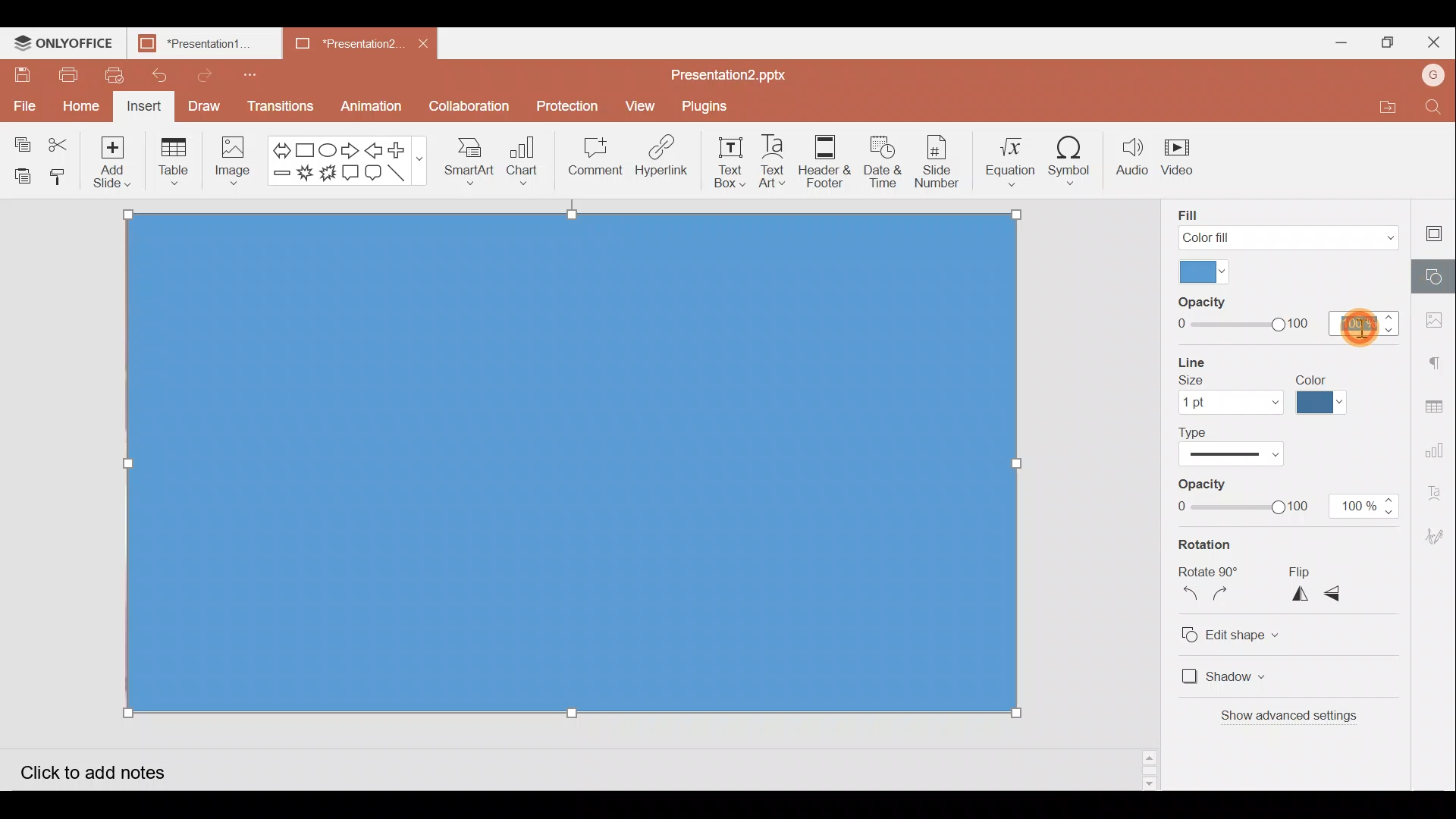 Image resolution: width=1456 pixels, height=819 pixels. I want to click on Minus, so click(281, 177).